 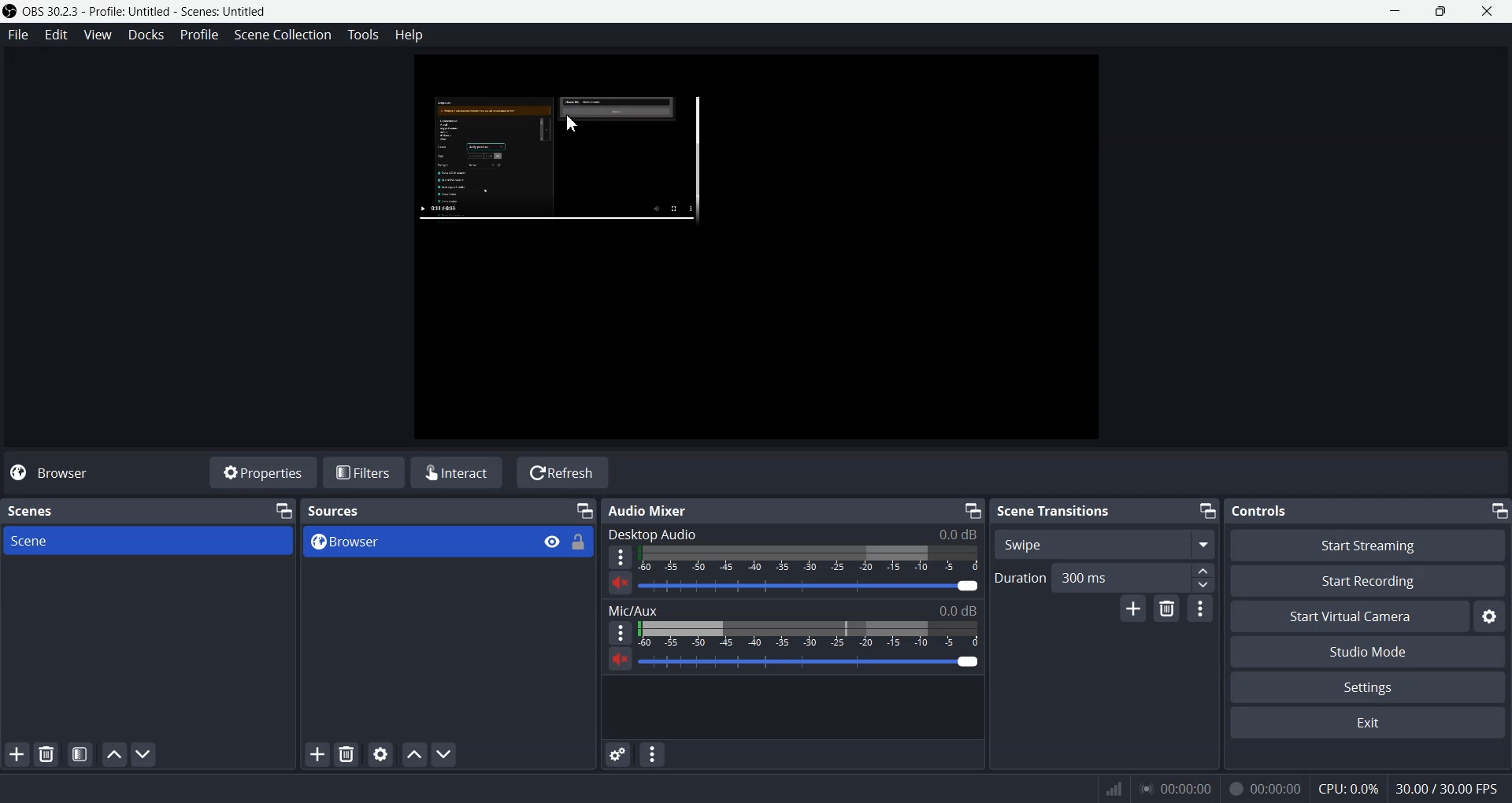 I want to click on Open source Properties, so click(x=380, y=754).